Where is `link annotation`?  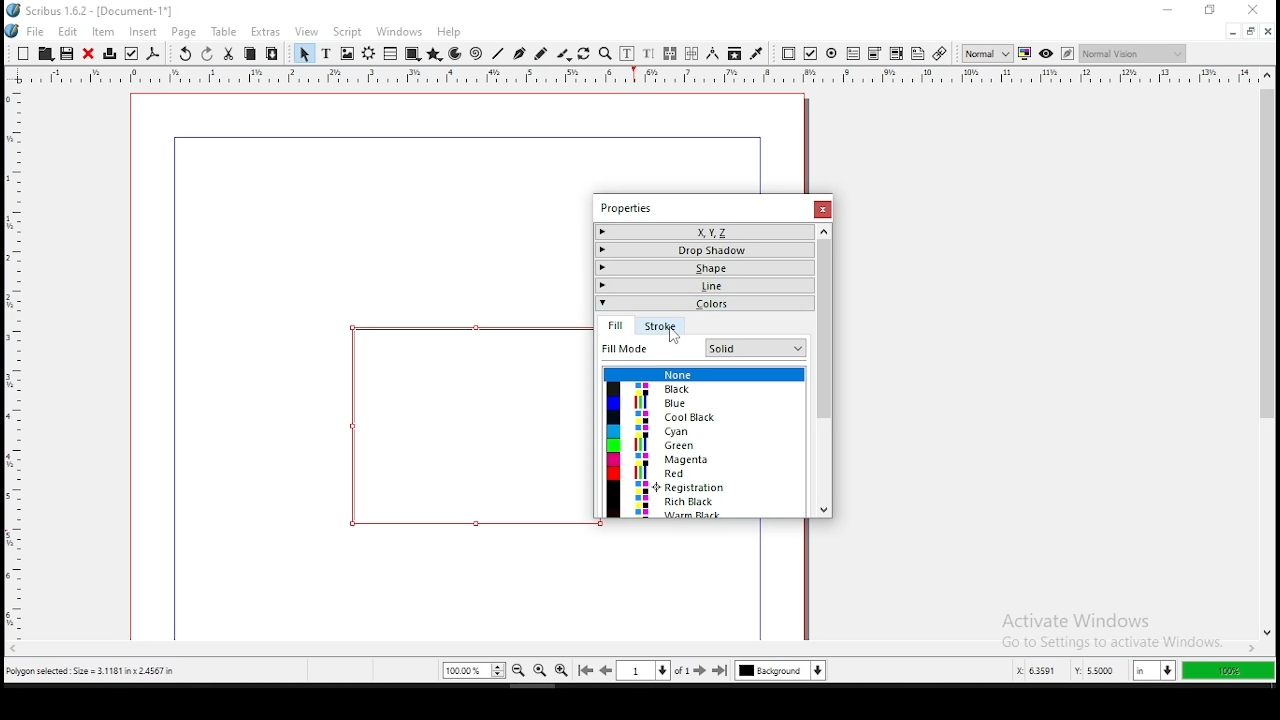 link annotation is located at coordinates (939, 53).